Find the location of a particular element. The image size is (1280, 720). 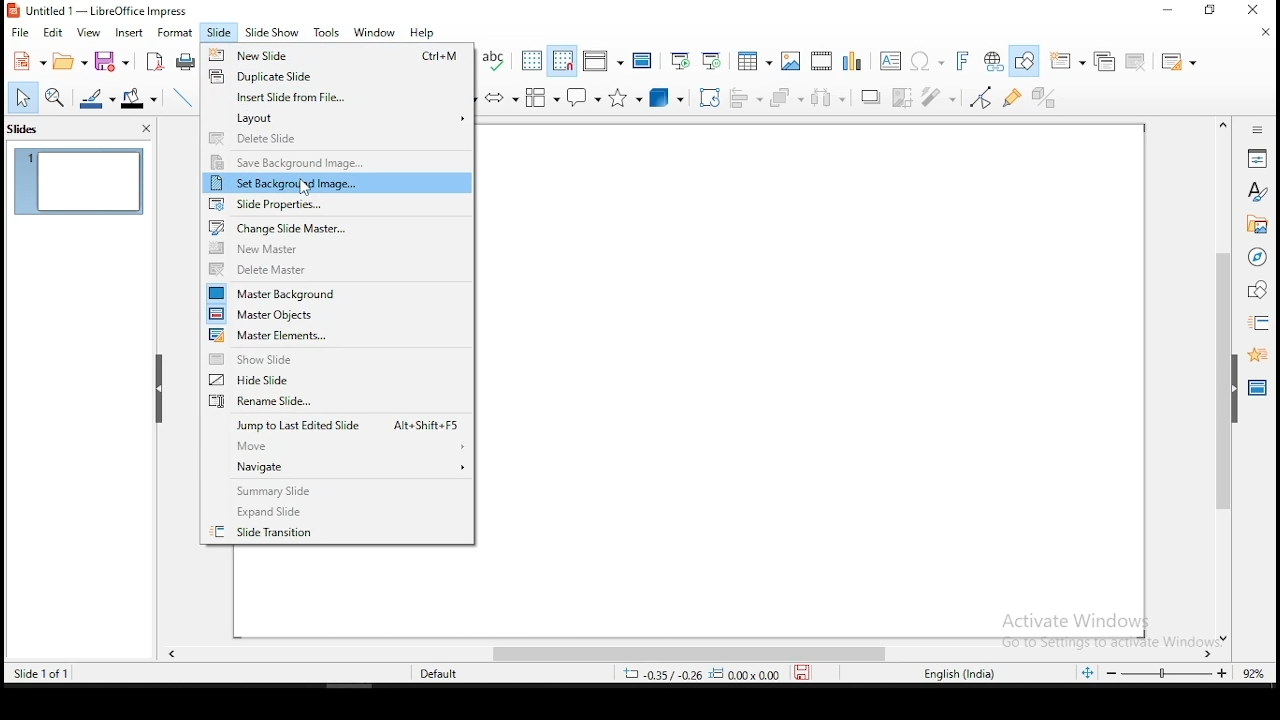

close is located at coordinates (142, 130).